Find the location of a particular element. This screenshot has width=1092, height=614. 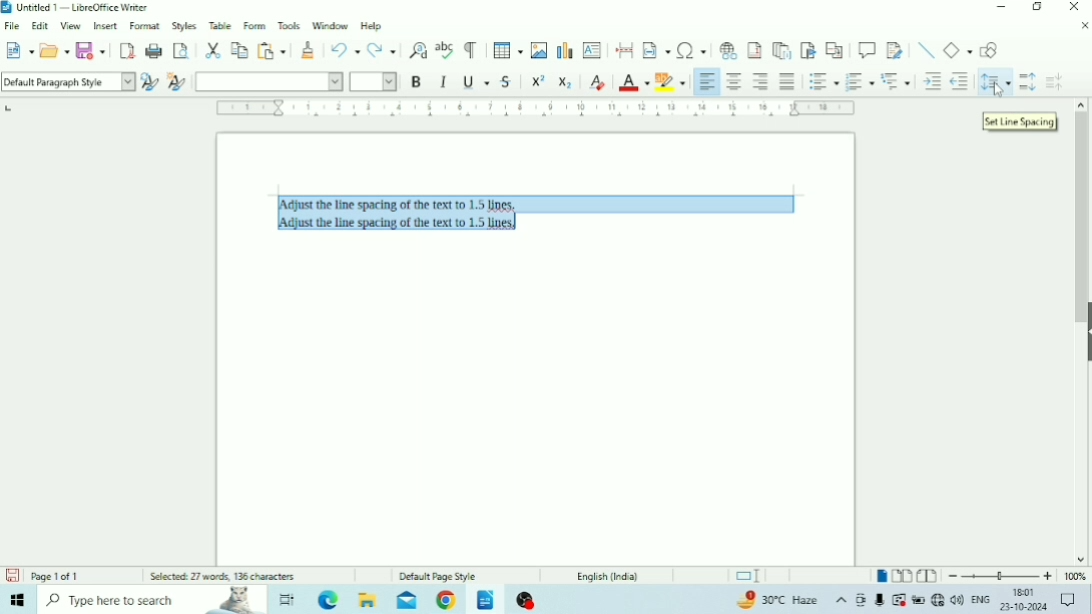

Cut is located at coordinates (212, 50).